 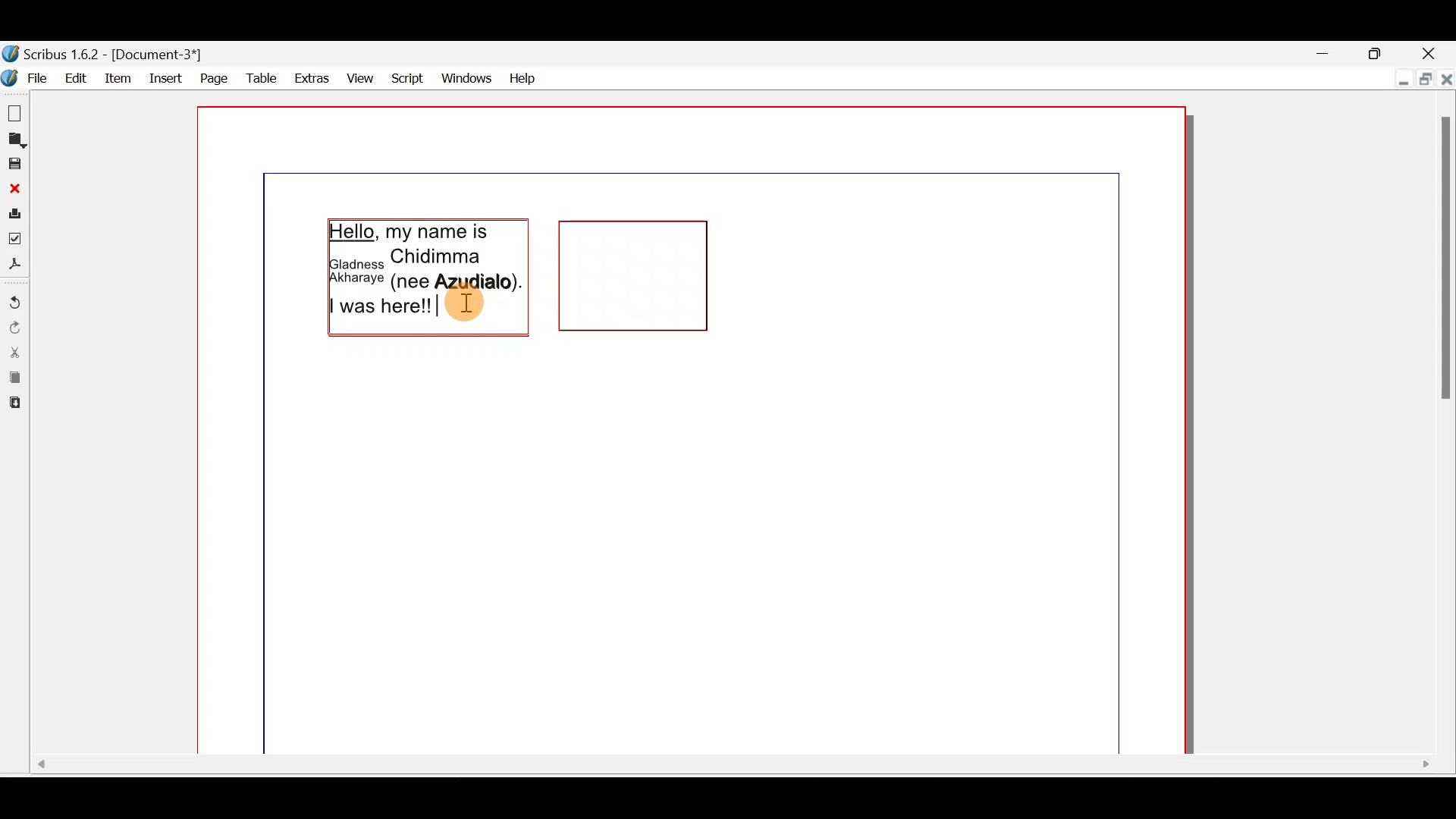 What do you see at coordinates (163, 76) in the screenshot?
I see `Insert` at bounding box center [163, 76].